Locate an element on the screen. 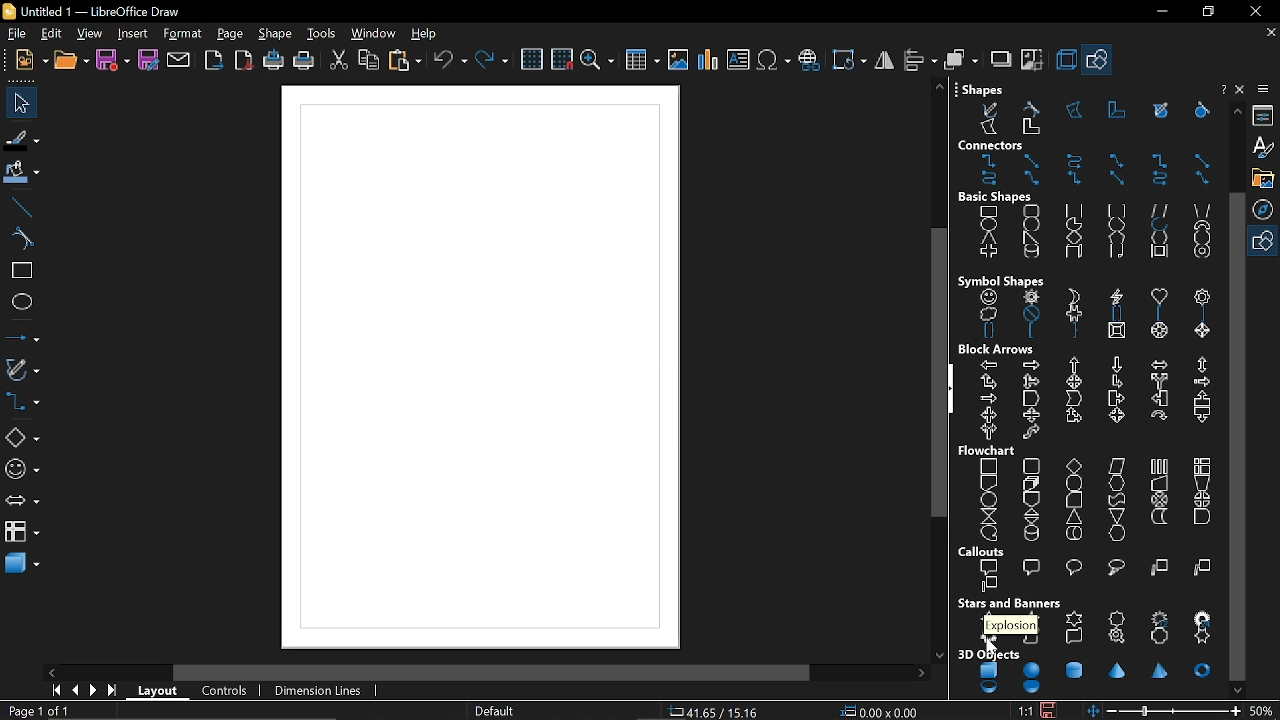 The width and height of the screenshot is (1280, 720). connectors is located at coordinates (21, 405).